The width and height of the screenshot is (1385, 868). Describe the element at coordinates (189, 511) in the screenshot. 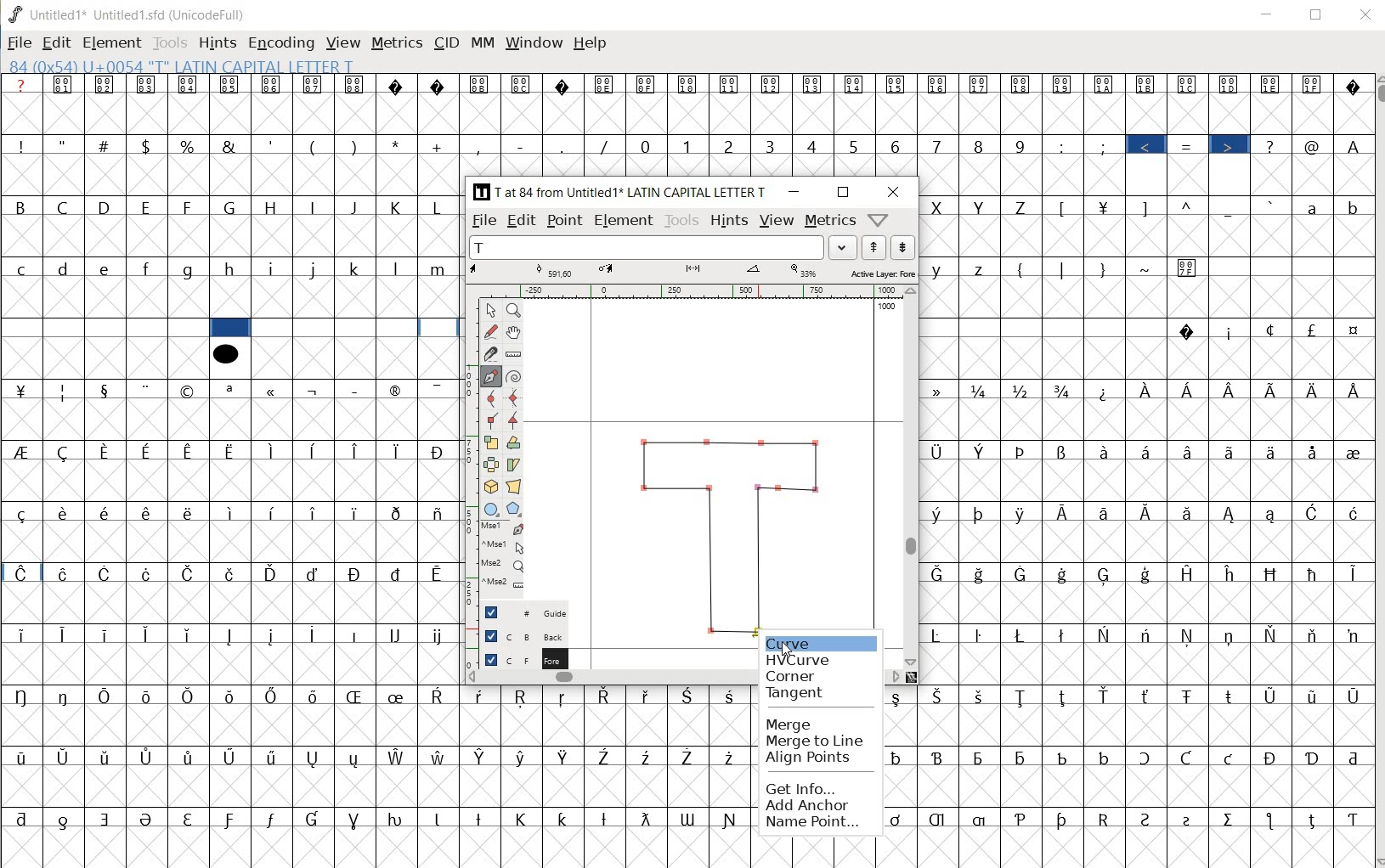

I see `Symbol` at that location.